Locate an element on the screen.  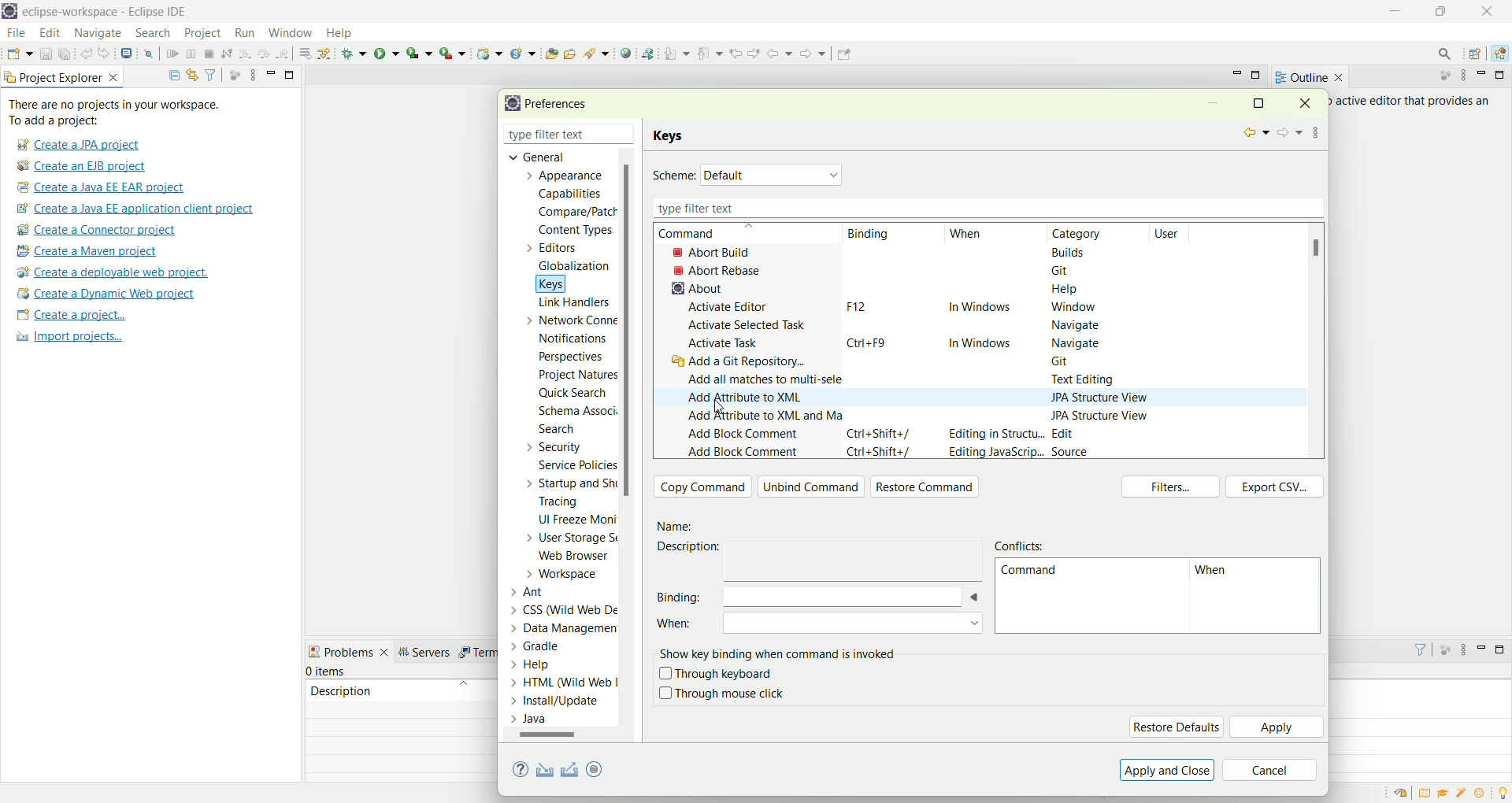
navigate is located at coordinates (98, 34).